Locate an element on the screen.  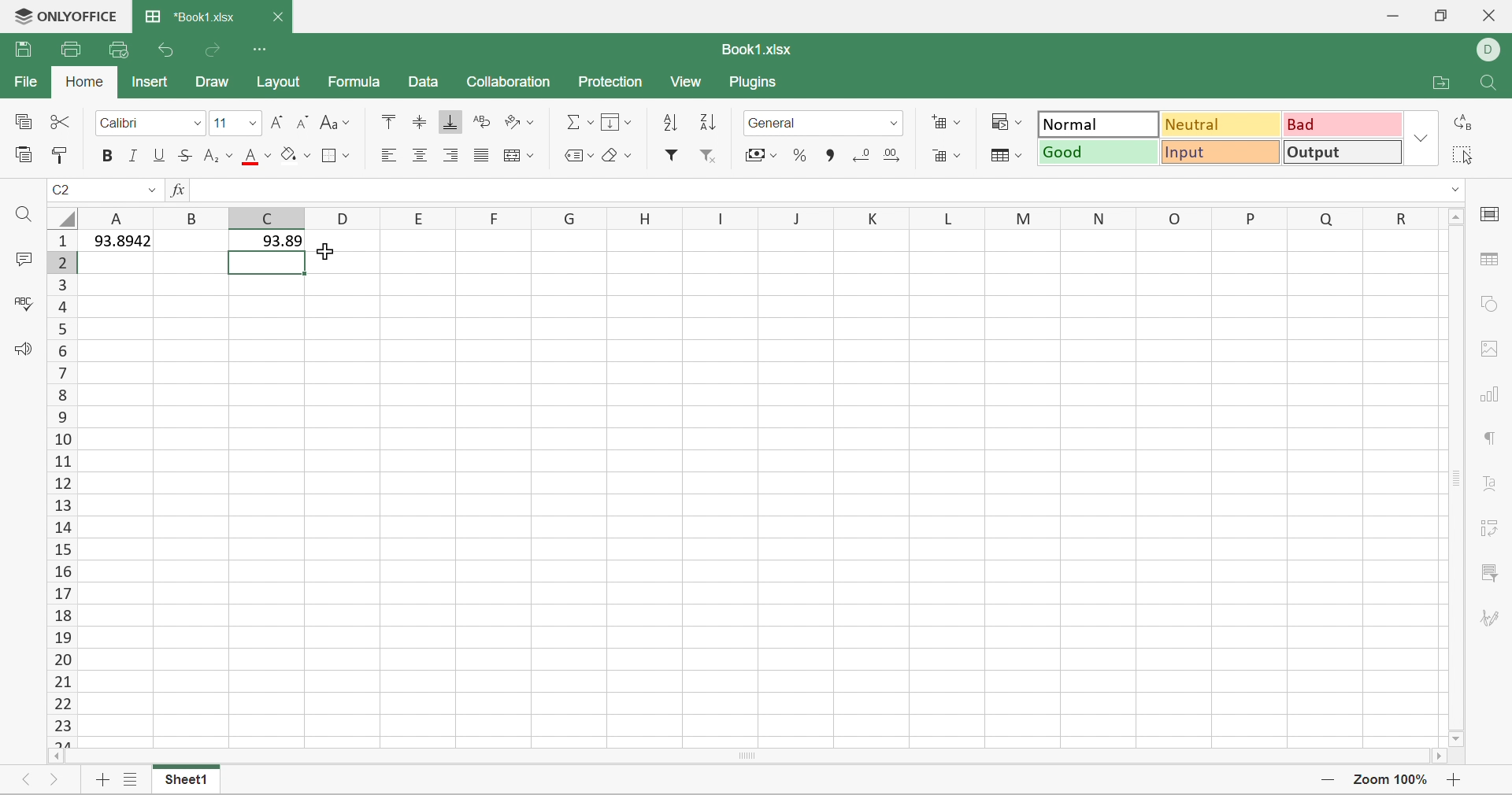
Drop Down is located at coordinates (251, 122).